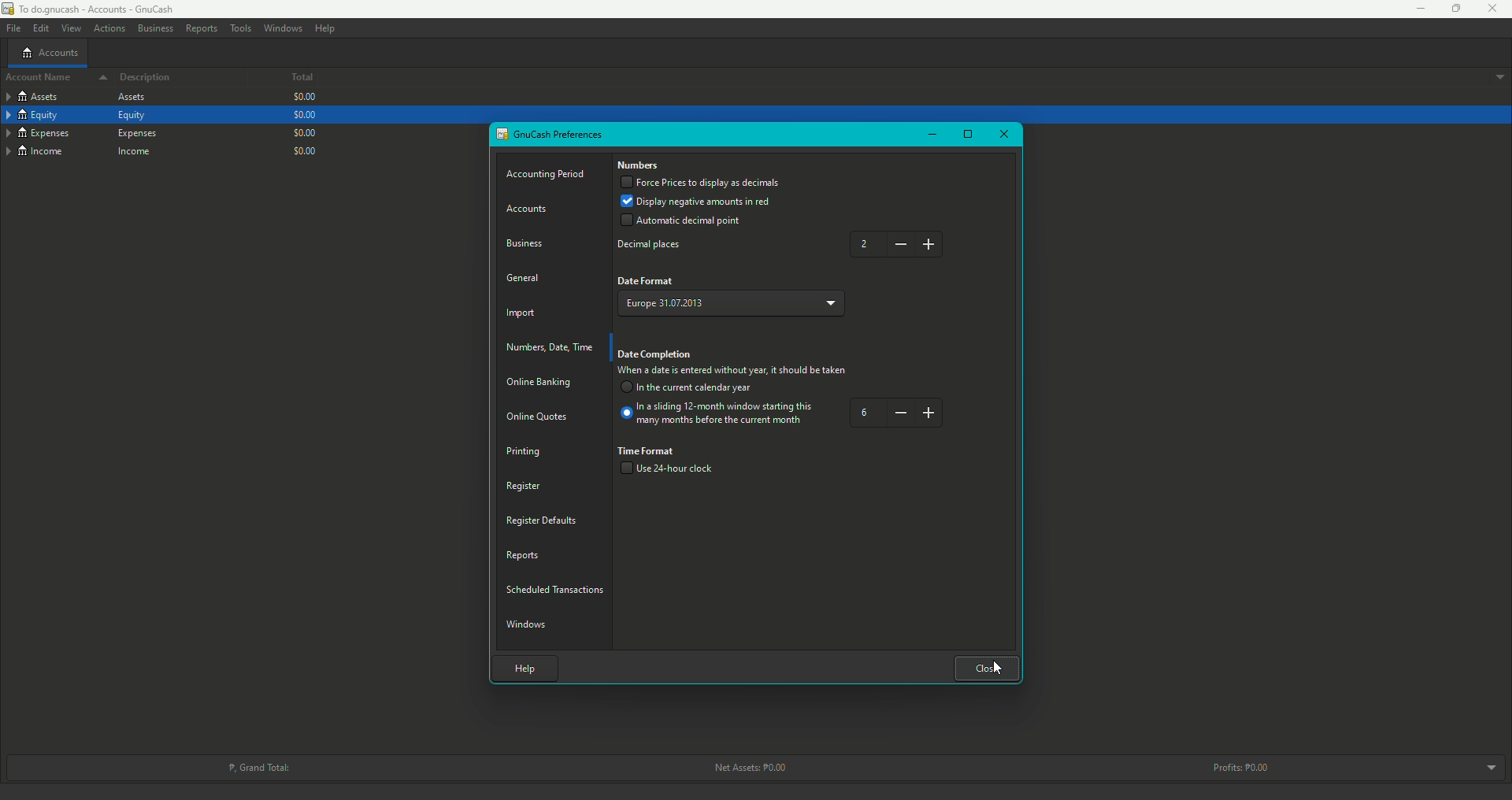 The height and width of the screenshot is (800, 1512). I want to click on Online Quotes, so click(543, 417).